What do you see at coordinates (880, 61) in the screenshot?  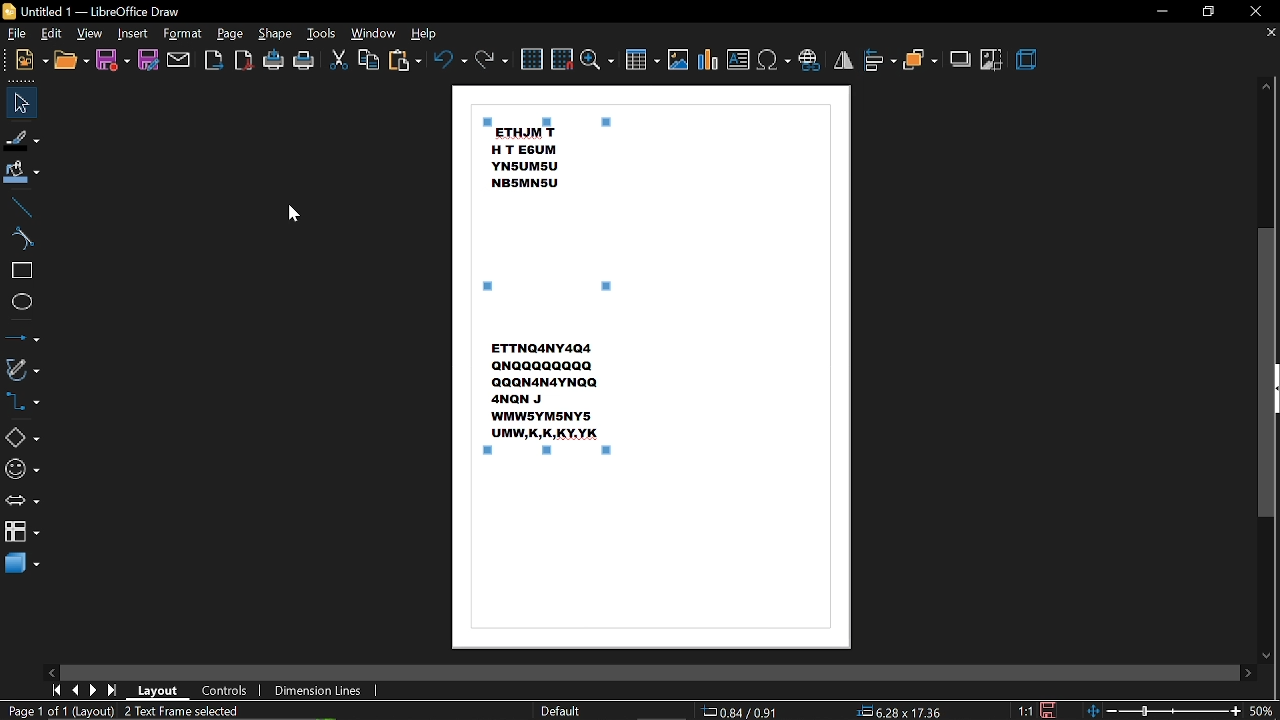 I see `align` at bounding box center [880, 61].